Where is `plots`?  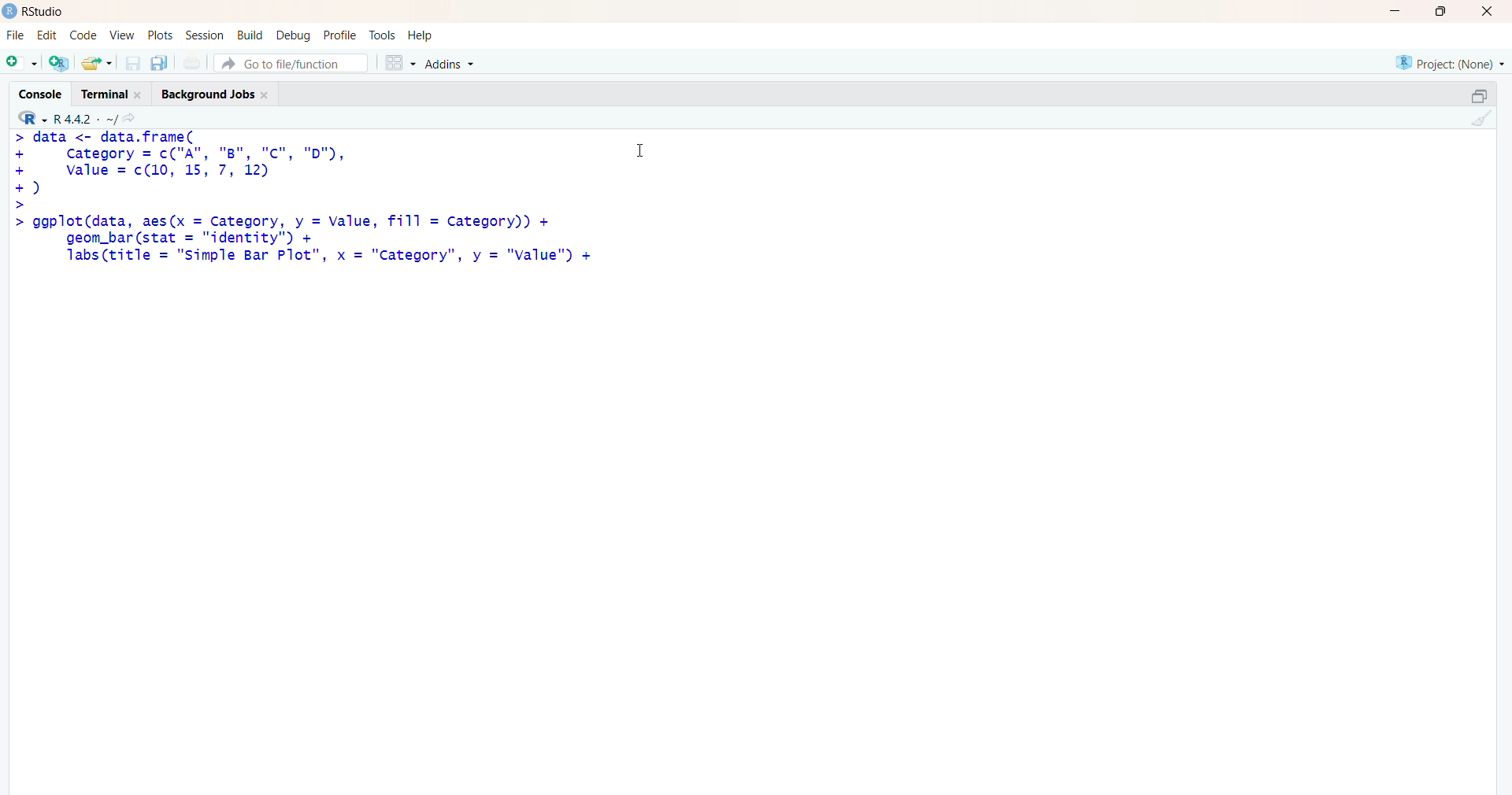 plots is located at coordinates (162, 35).